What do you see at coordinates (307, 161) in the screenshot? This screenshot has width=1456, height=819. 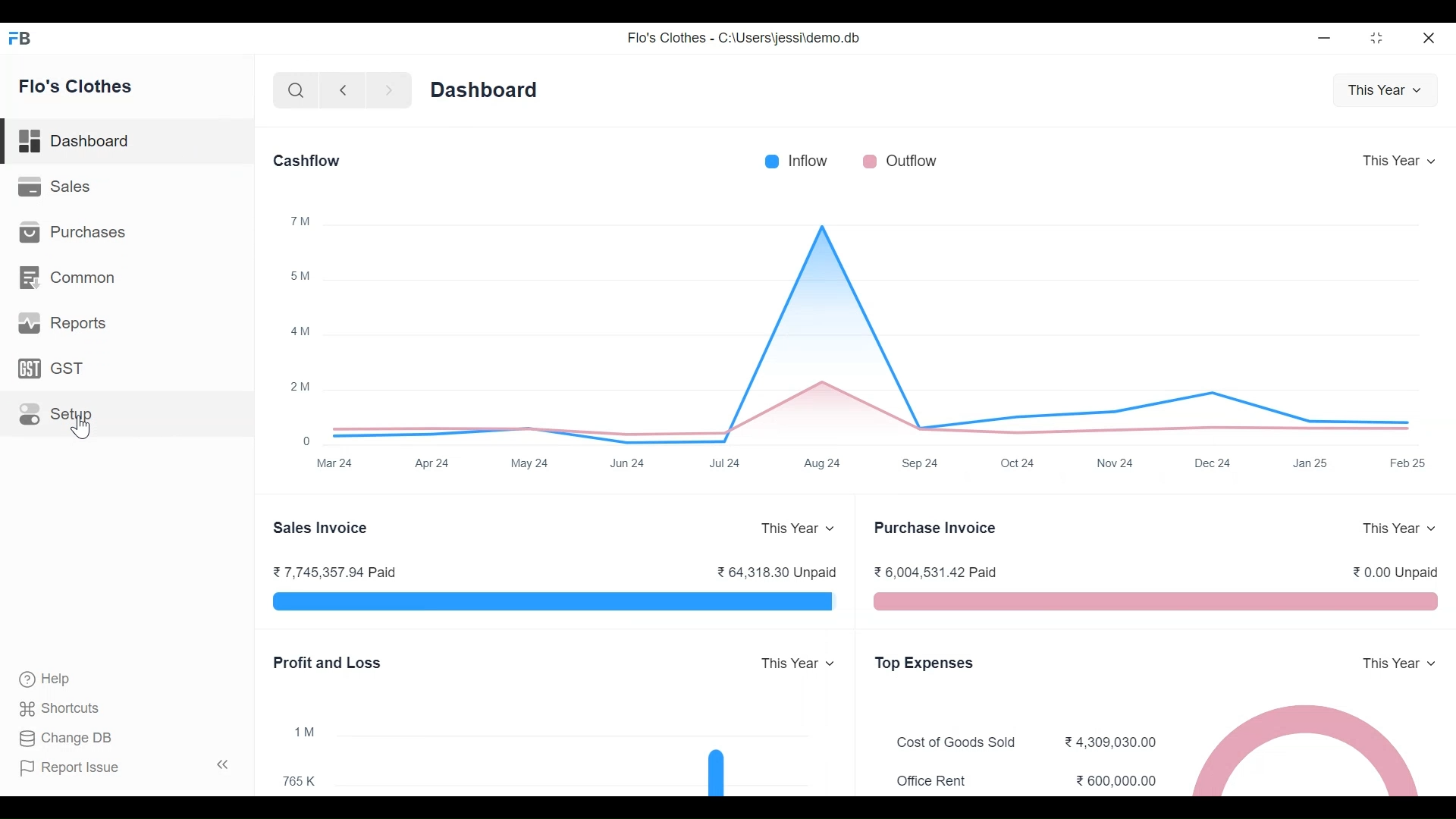 I see `cashflow` at bounding box center [307, 161].